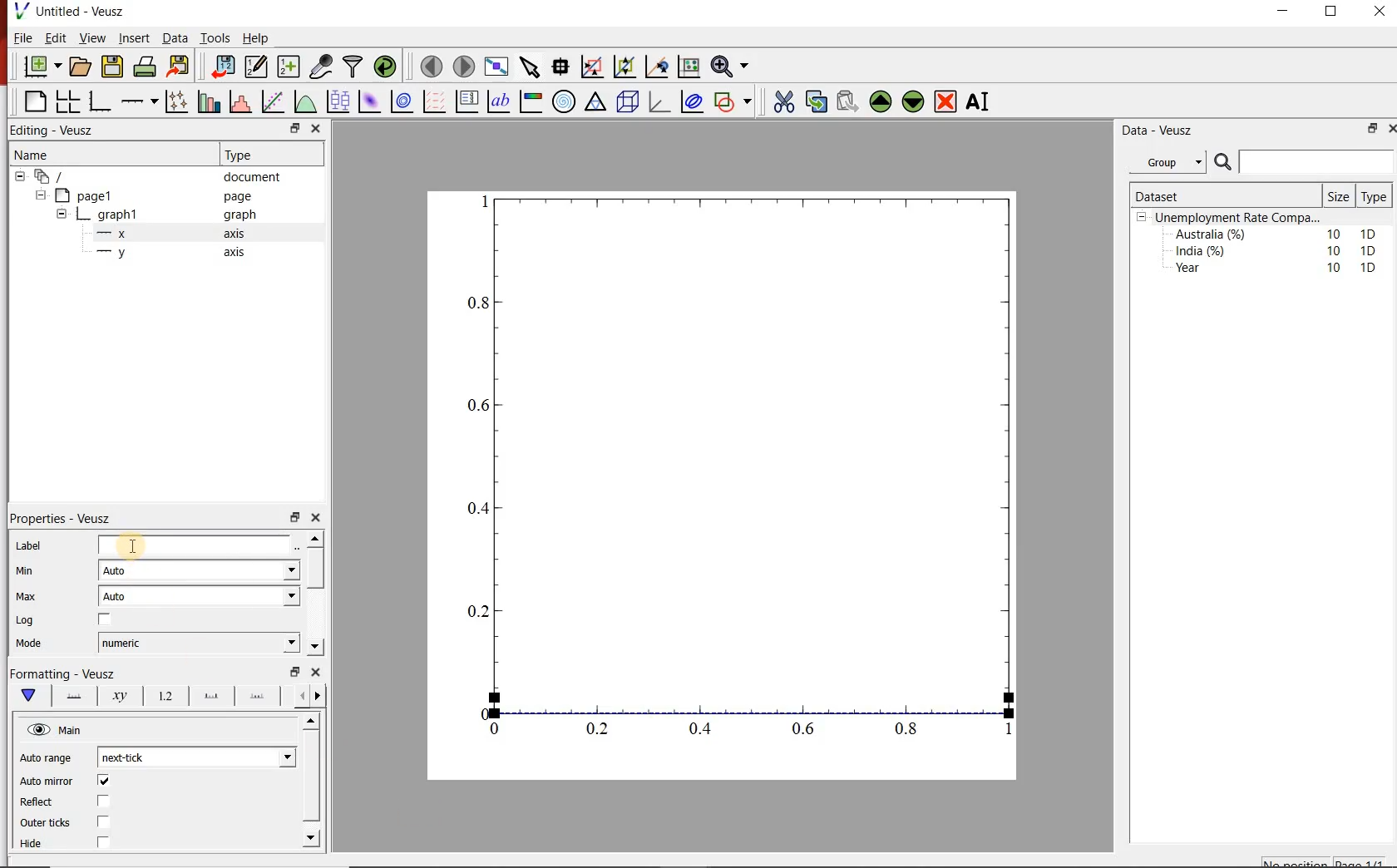 The image size is (1397, 868). I want to click on Tools, so click(216, 37).